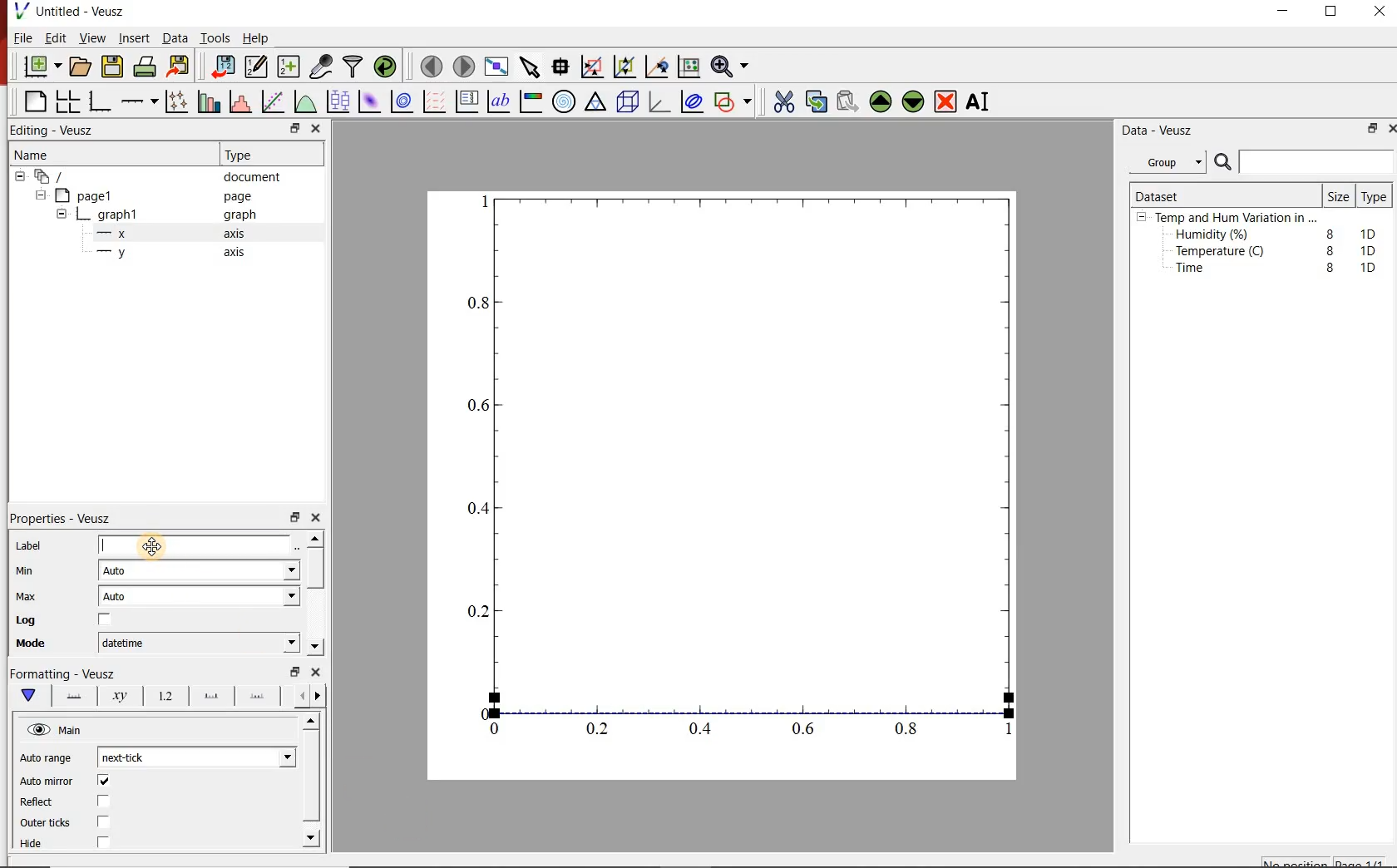  I want to click on tick labels, so click(165, 696).